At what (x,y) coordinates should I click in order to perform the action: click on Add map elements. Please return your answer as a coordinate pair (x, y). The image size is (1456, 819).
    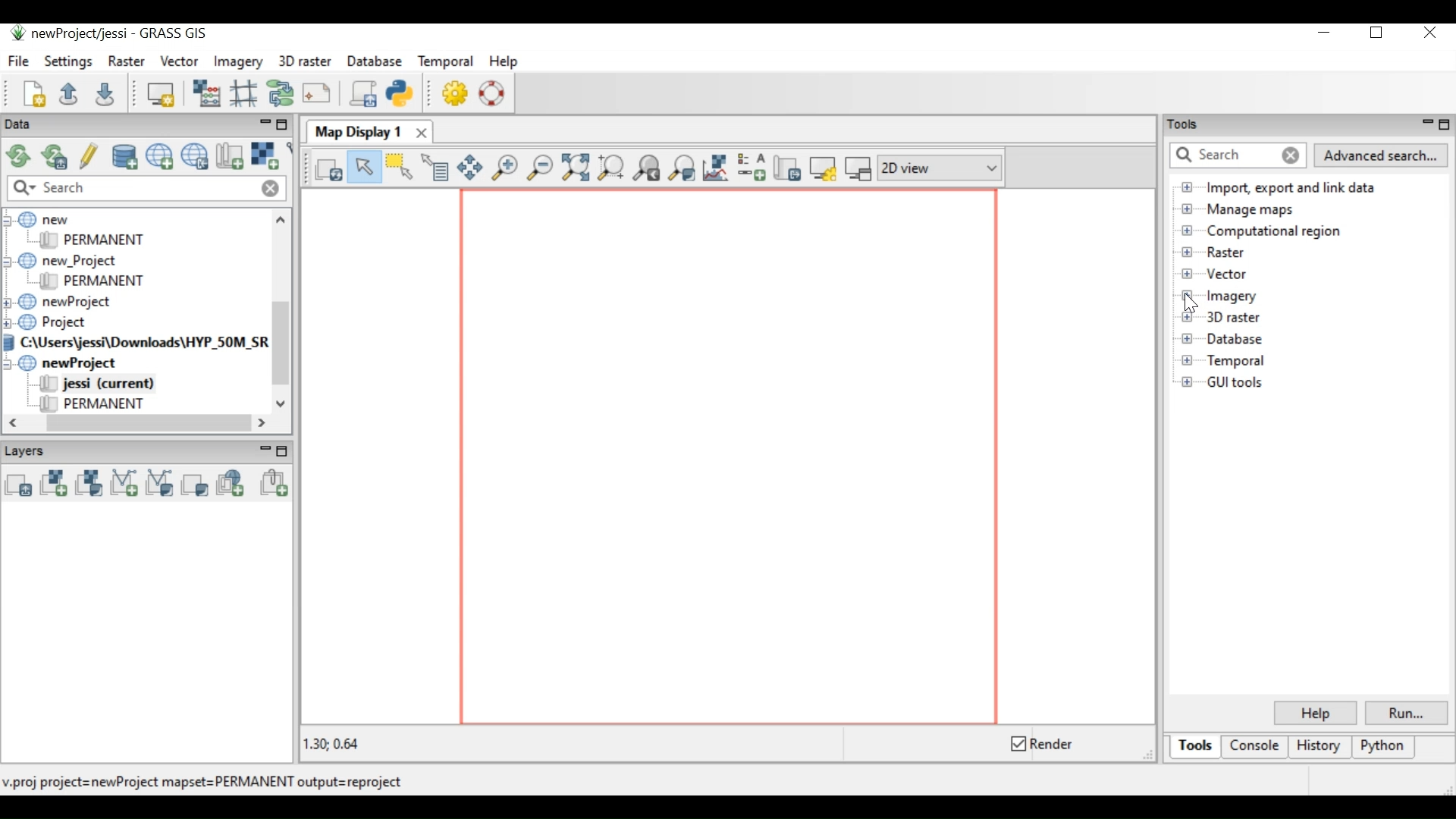
    Looking at the image, I should click on (753, 168).